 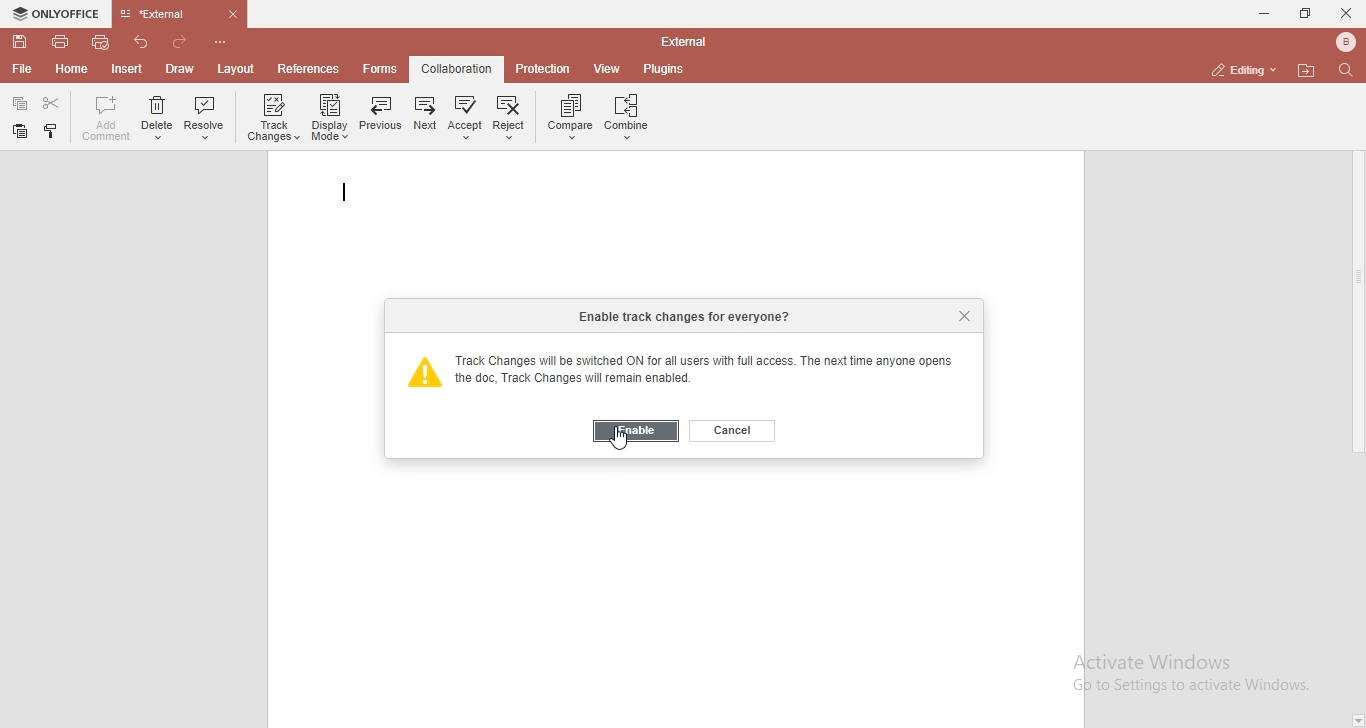 I want to click on previous, so click(x=377, y=114).